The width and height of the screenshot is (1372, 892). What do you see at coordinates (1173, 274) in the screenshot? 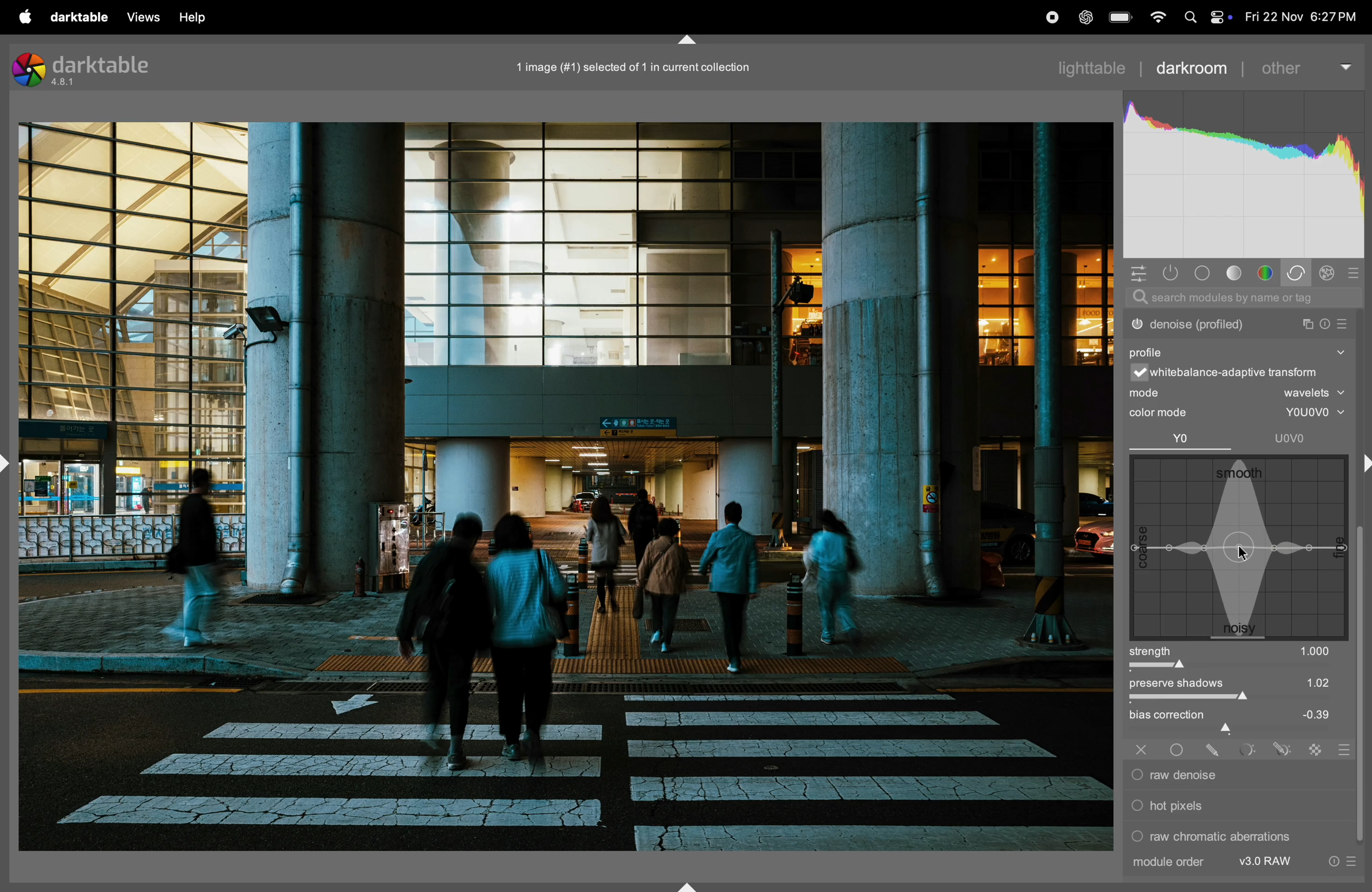
I see `show only active modes` at bounding box center [1173, 274].